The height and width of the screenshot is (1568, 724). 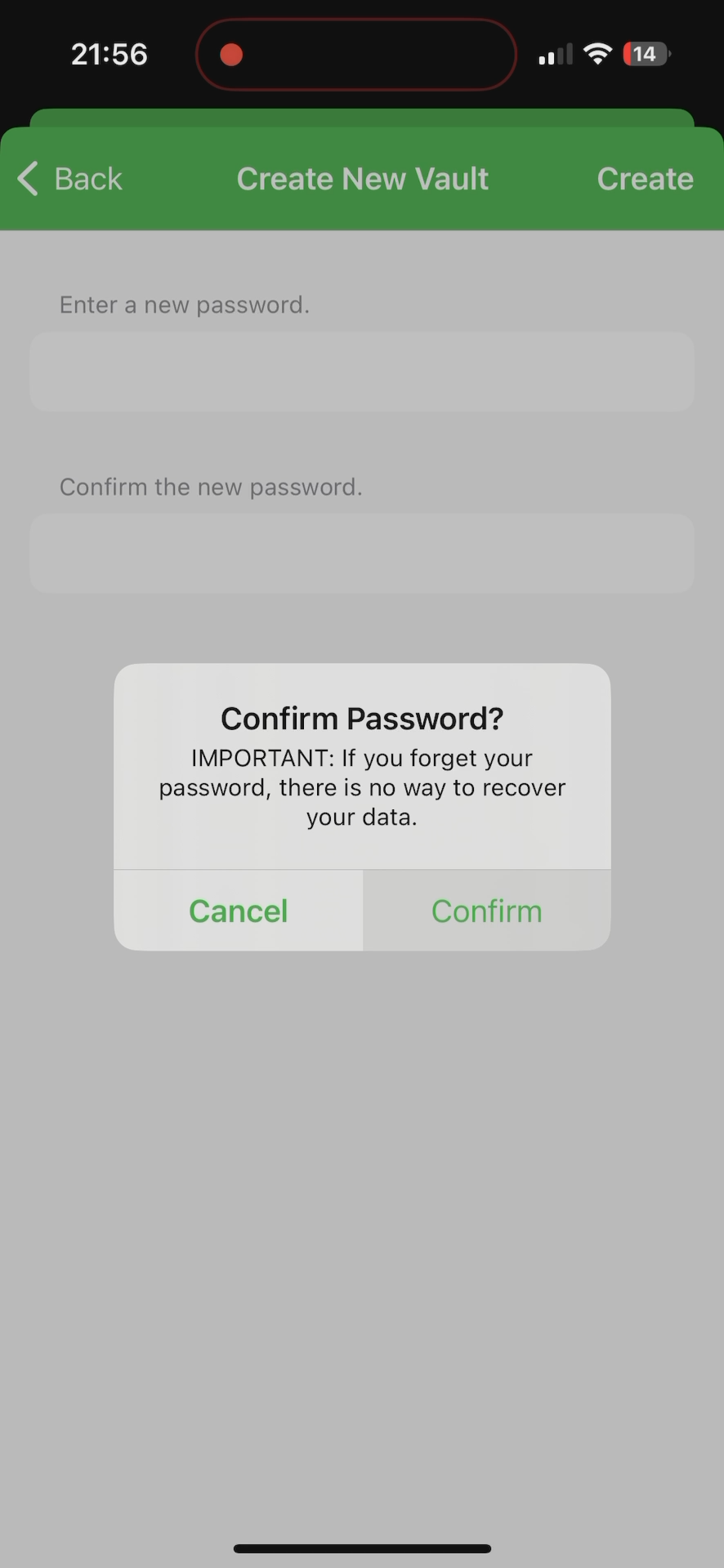 I want to click on , so click(x=372, y=174).